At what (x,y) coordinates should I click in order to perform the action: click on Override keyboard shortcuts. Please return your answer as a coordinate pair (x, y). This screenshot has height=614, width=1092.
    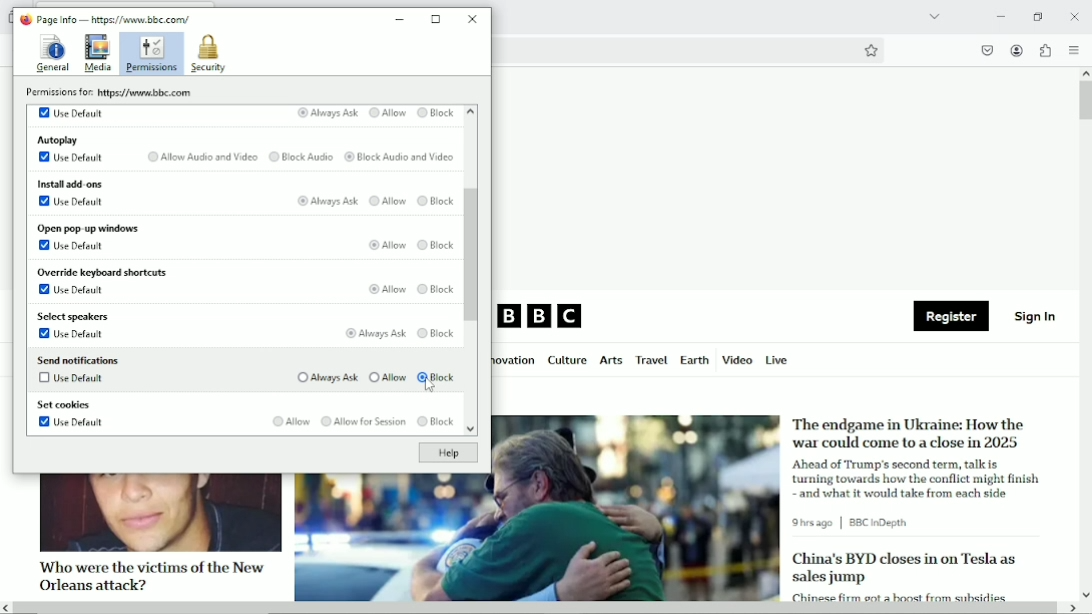
    Looking at the image, I should click on (101, 273).